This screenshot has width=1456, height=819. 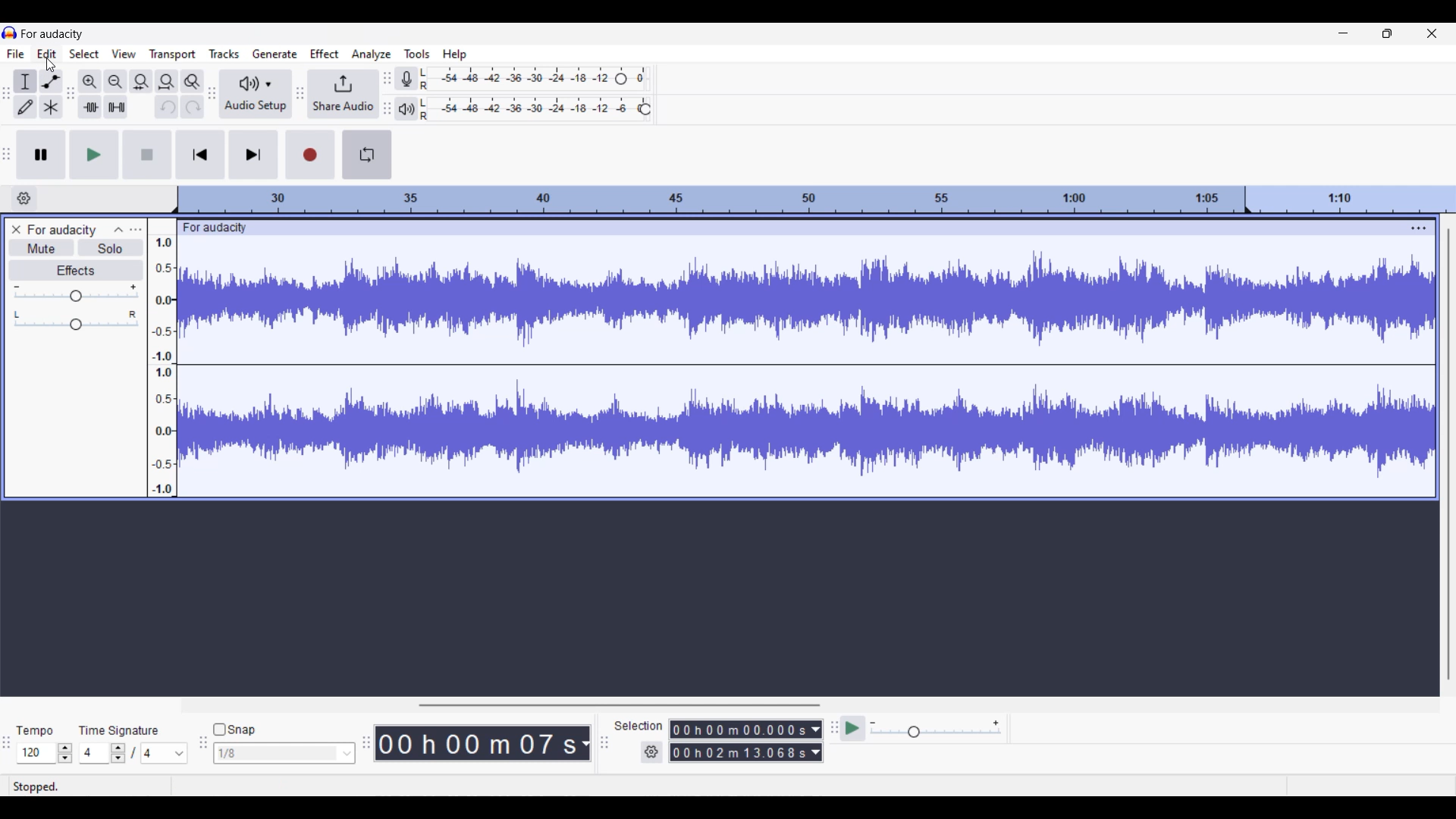 I want to click on tempo, so click(x=35, y=732).